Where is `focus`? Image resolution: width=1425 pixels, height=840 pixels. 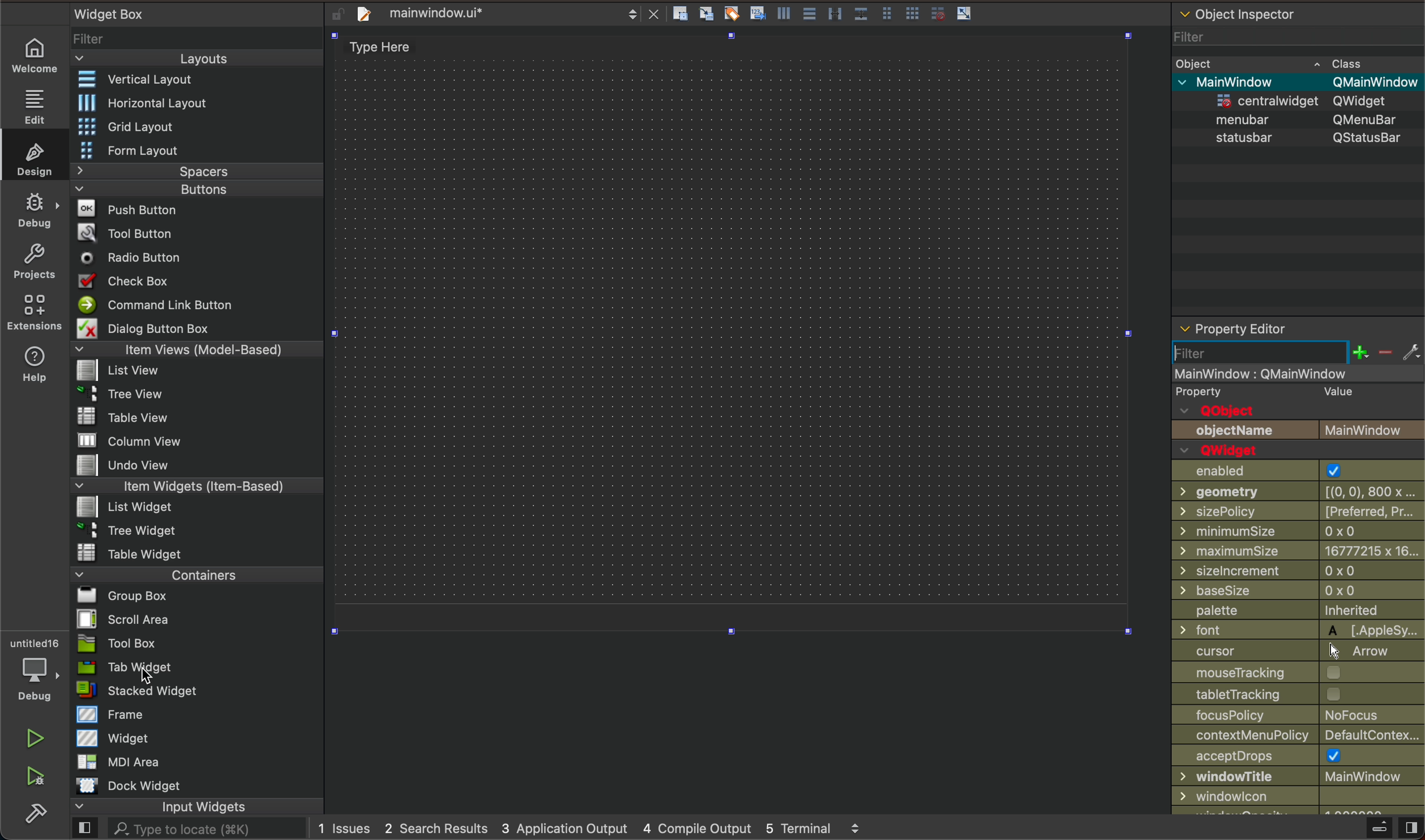 focus is located at coordinates (1300, 716).